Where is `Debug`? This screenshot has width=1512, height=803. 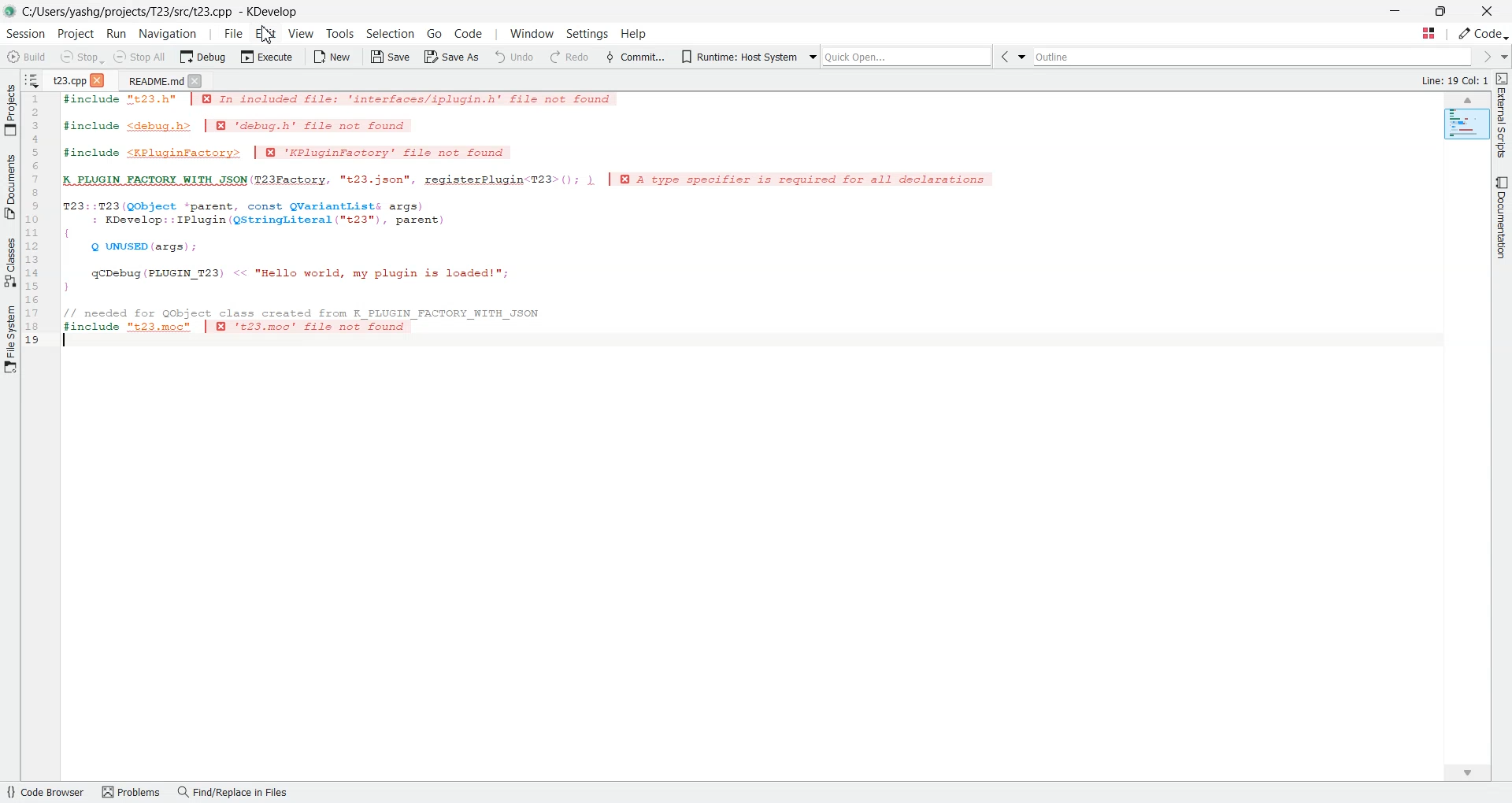 Debug is located at coordinates (202, 57).